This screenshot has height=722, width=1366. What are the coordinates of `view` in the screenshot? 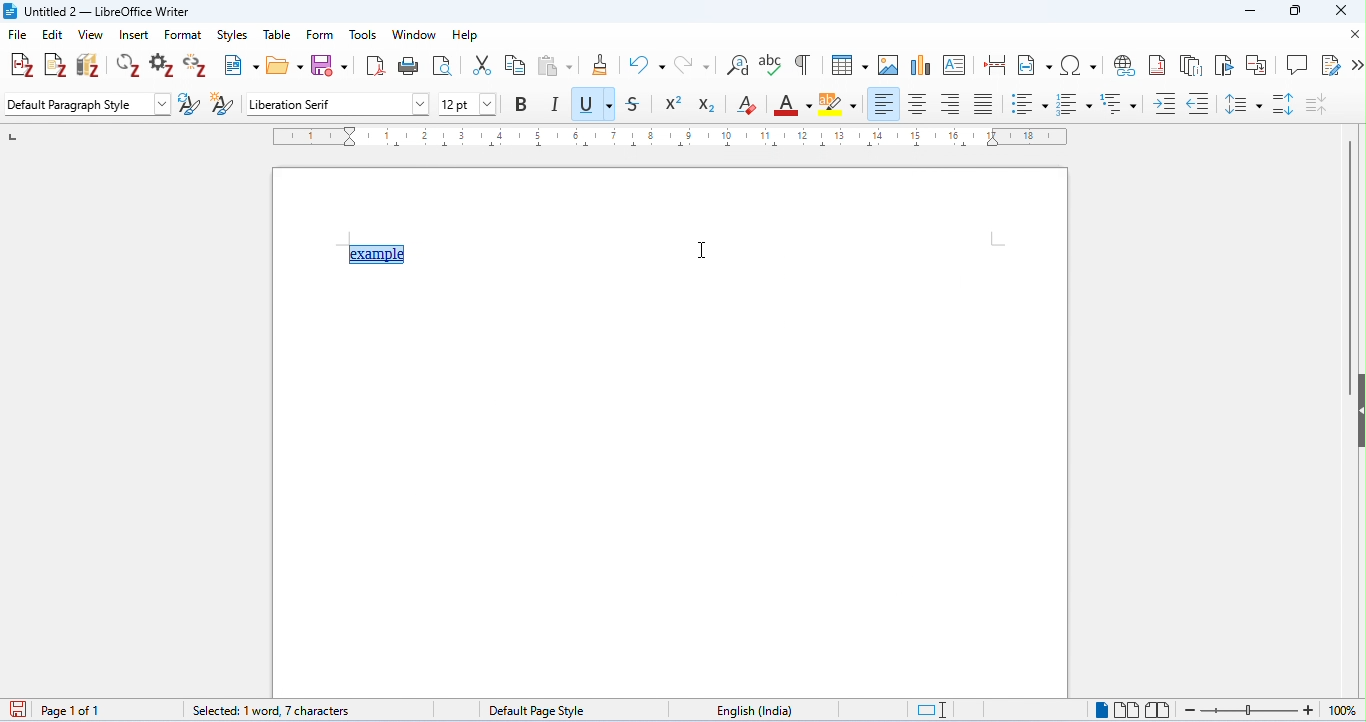 It's located at (92, 36).